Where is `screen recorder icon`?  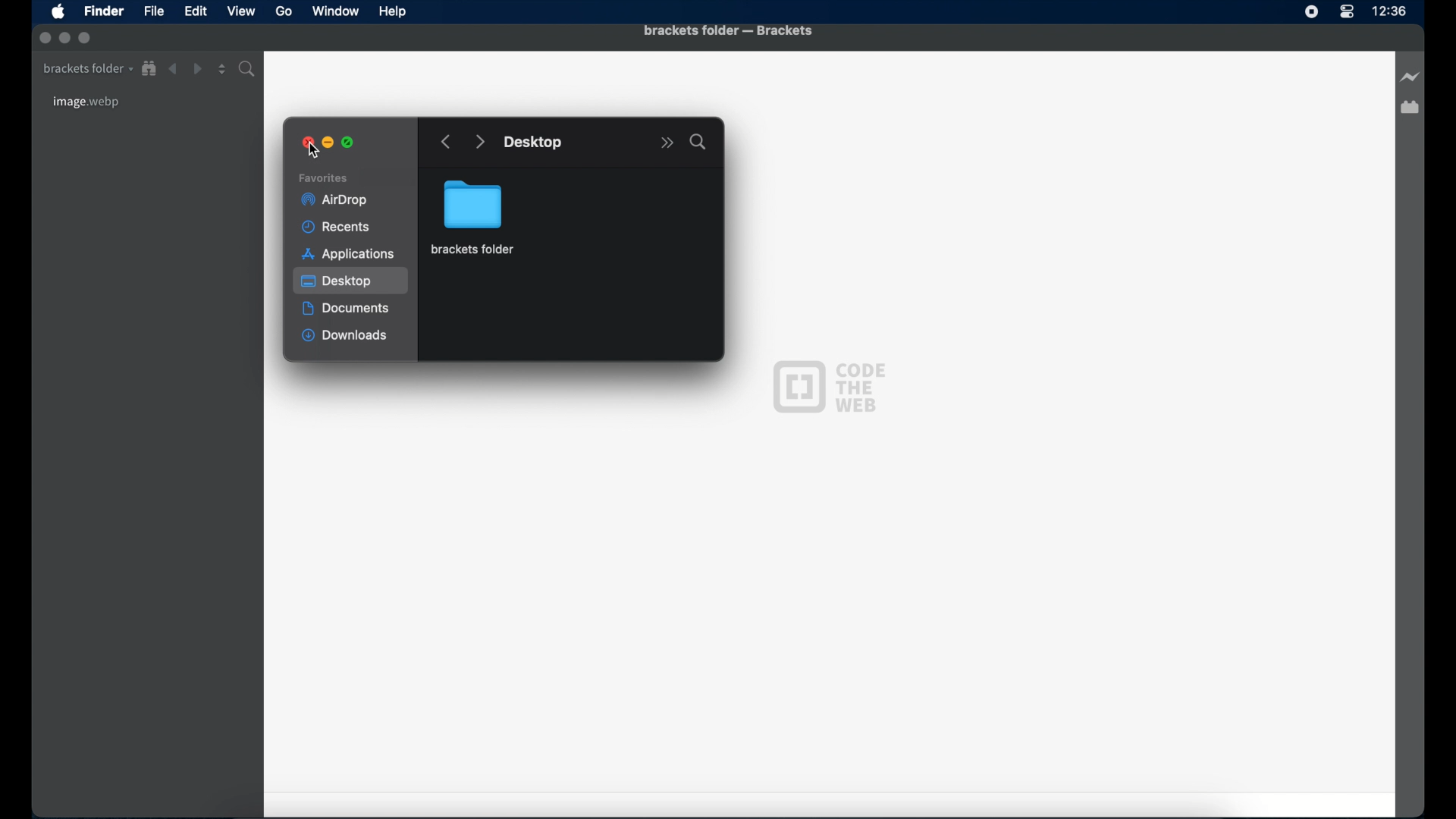
screen recorder icon is located at coordinates (1312, 13).